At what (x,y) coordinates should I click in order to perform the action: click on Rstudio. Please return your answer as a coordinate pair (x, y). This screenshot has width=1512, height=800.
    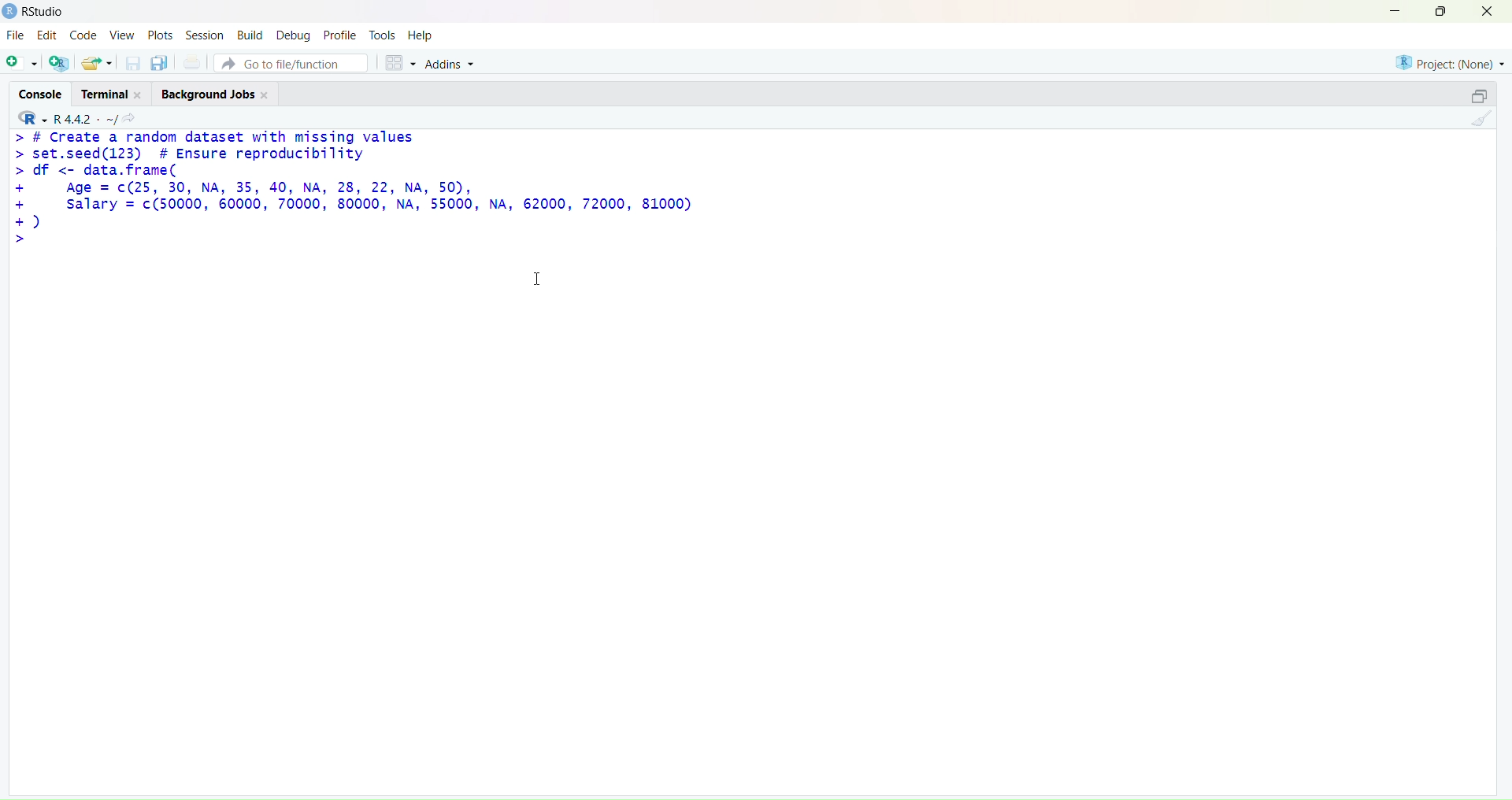
    Looking at the image, I should click on (35, 11).